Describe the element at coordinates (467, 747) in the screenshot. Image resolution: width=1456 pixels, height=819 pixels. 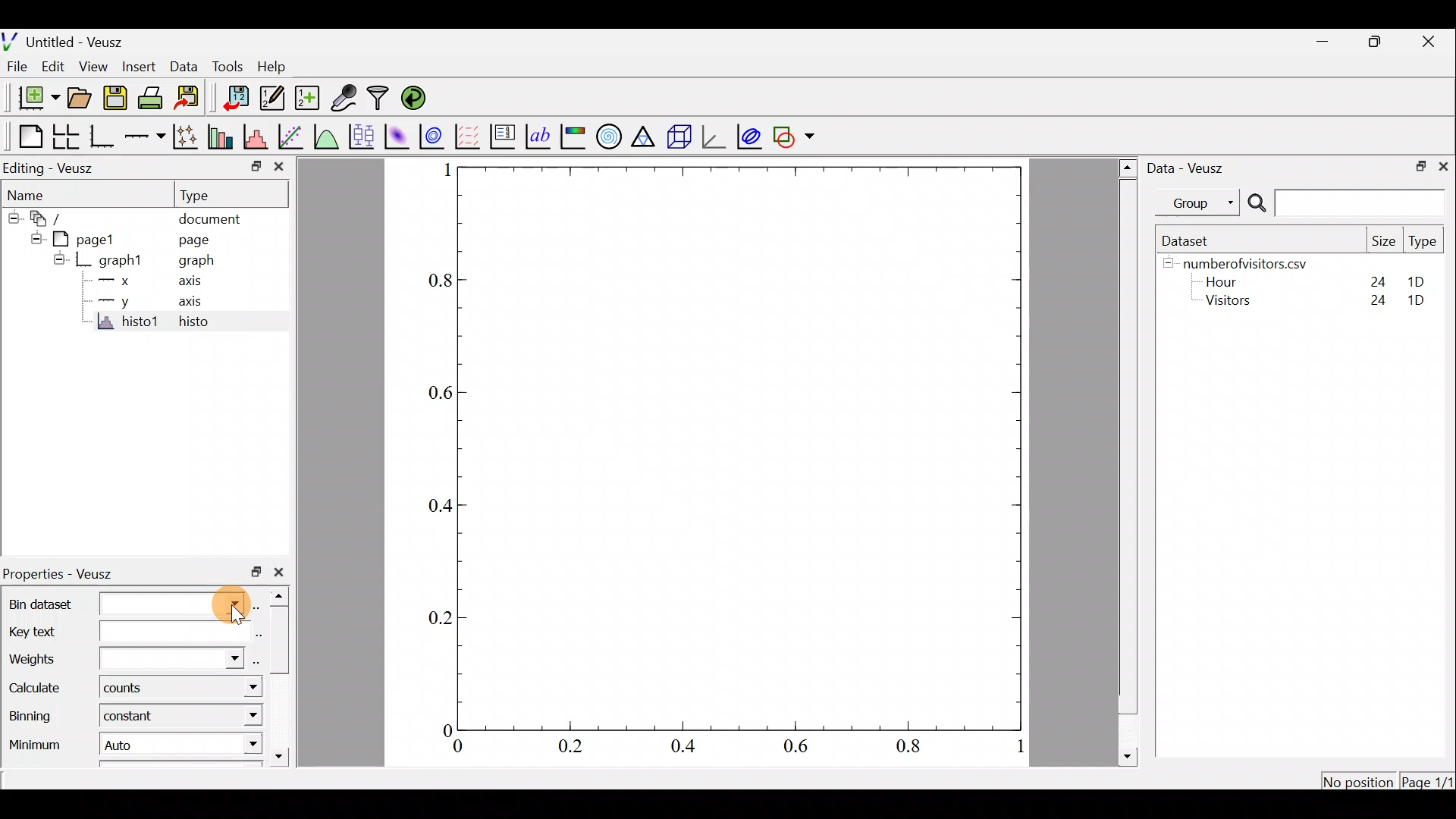
I see `0` at that location.